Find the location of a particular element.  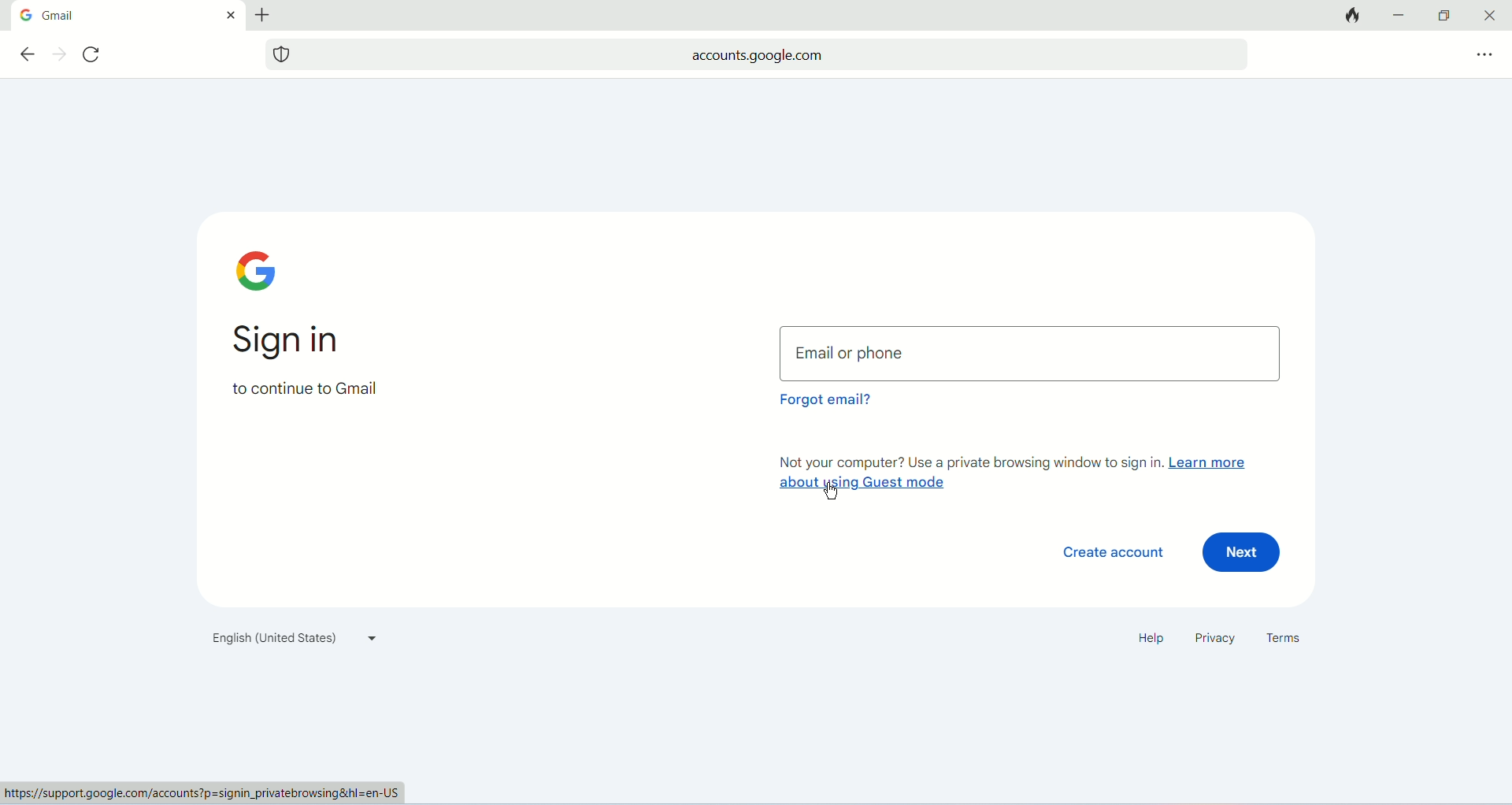

next is located at coordinates (1244, 555).